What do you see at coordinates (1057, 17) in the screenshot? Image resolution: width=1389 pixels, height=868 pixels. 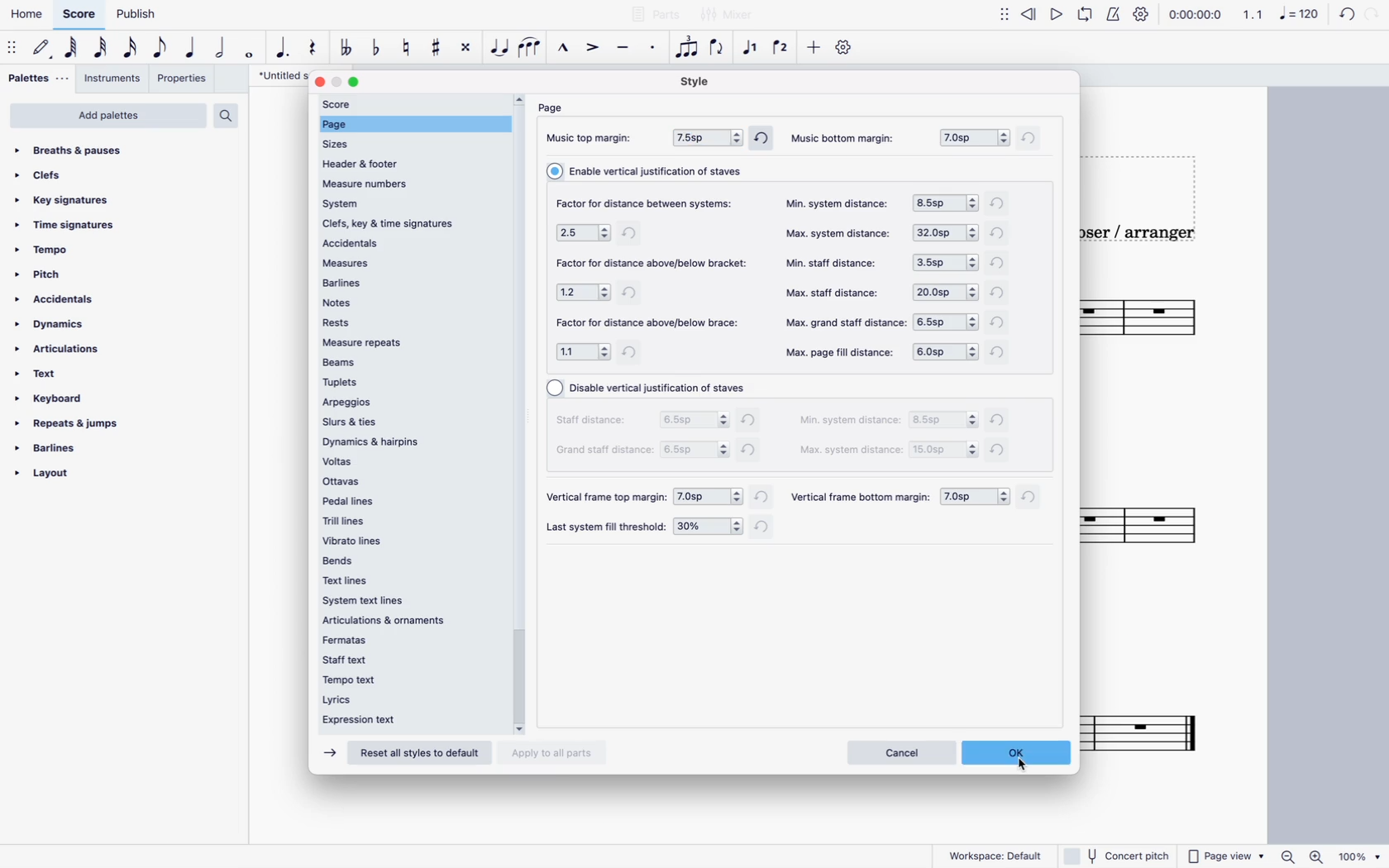 I see `play` at bounding box center [1057, 17].